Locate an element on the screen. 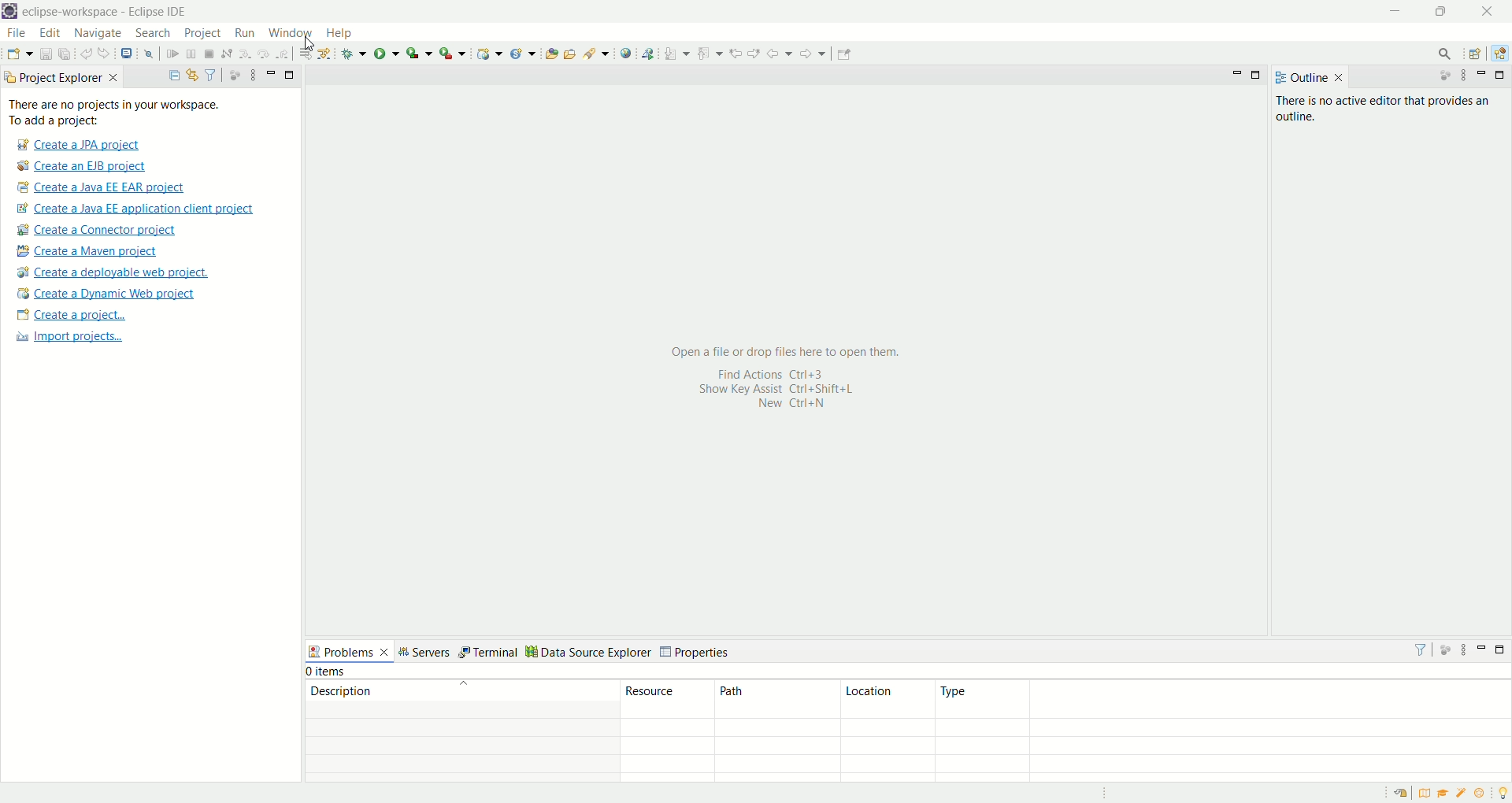  tutorial is located at coordinates (1442, 796).